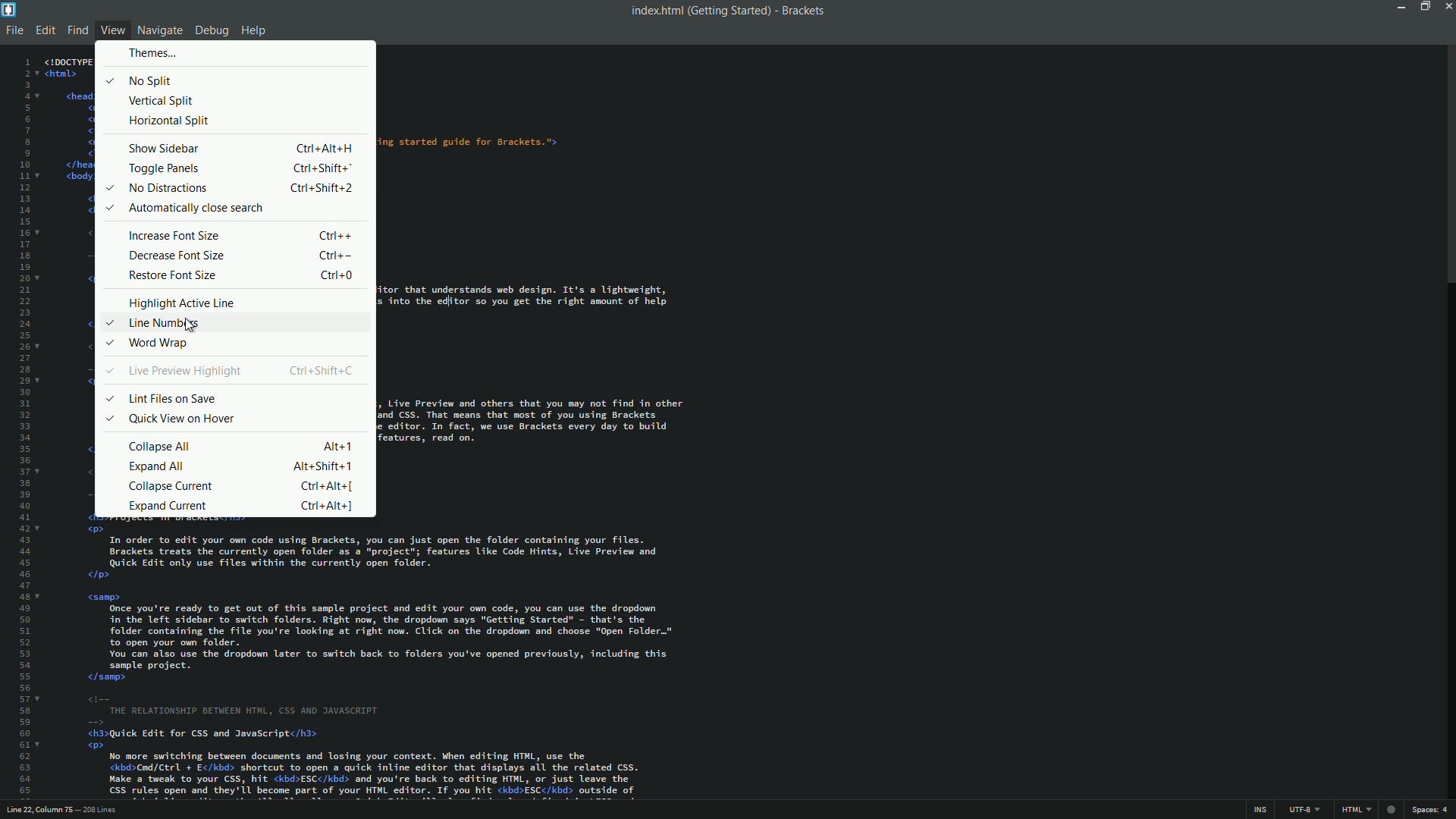  I want to click on minimize, so click(1400, 7).